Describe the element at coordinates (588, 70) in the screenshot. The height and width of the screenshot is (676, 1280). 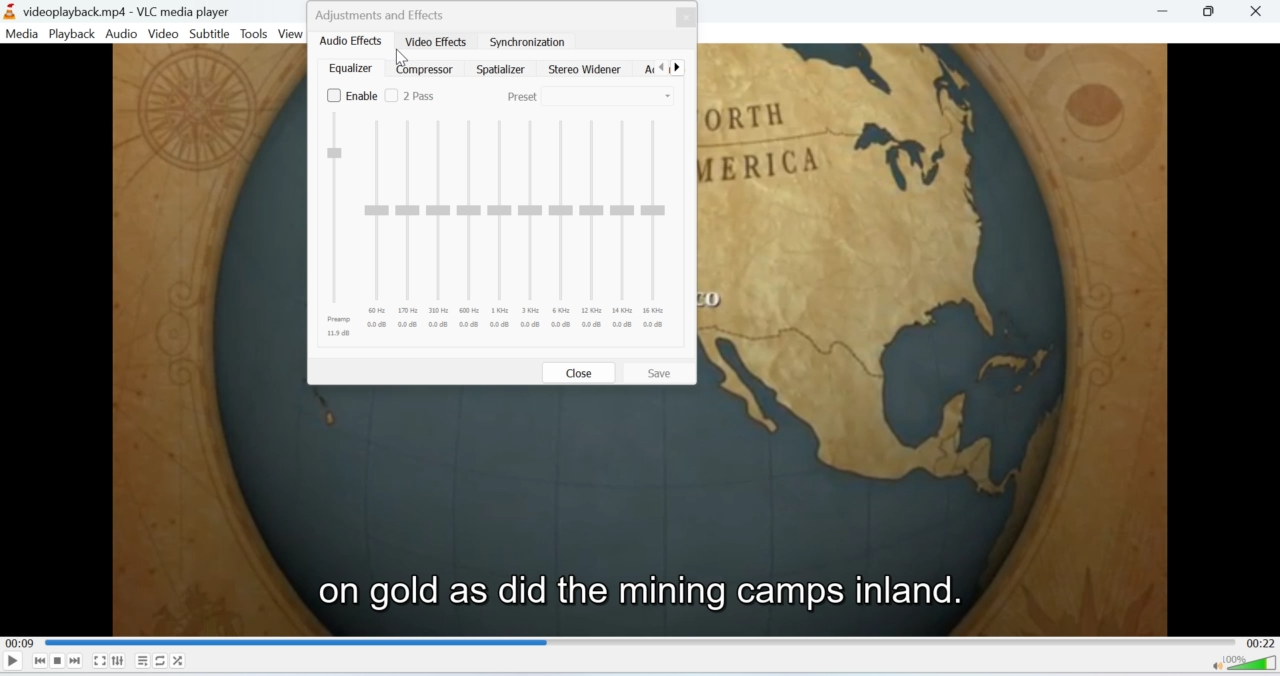
I see `stereo widener` at that location.